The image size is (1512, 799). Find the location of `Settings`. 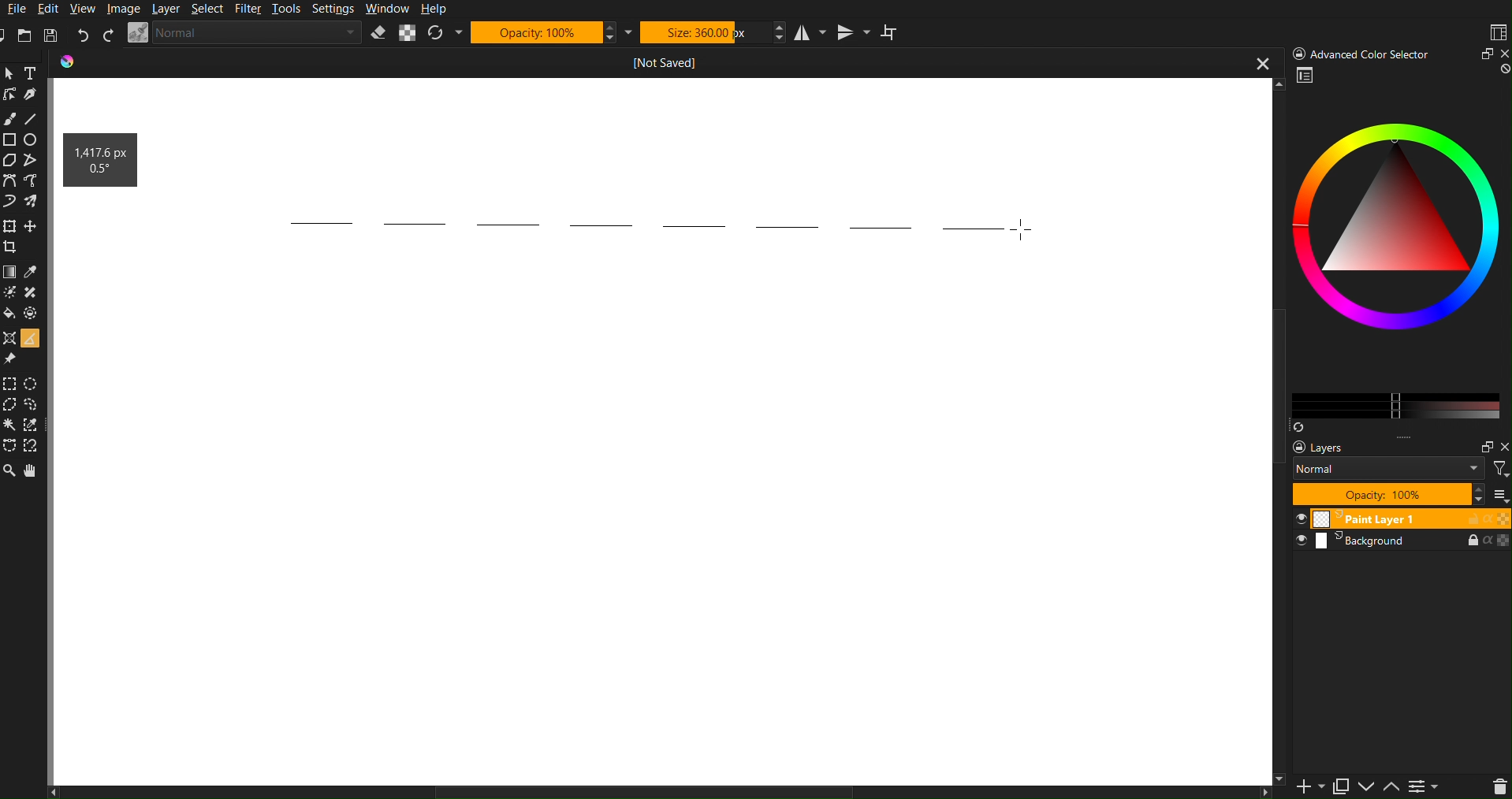

Settings is located at coordinates (333, 10).